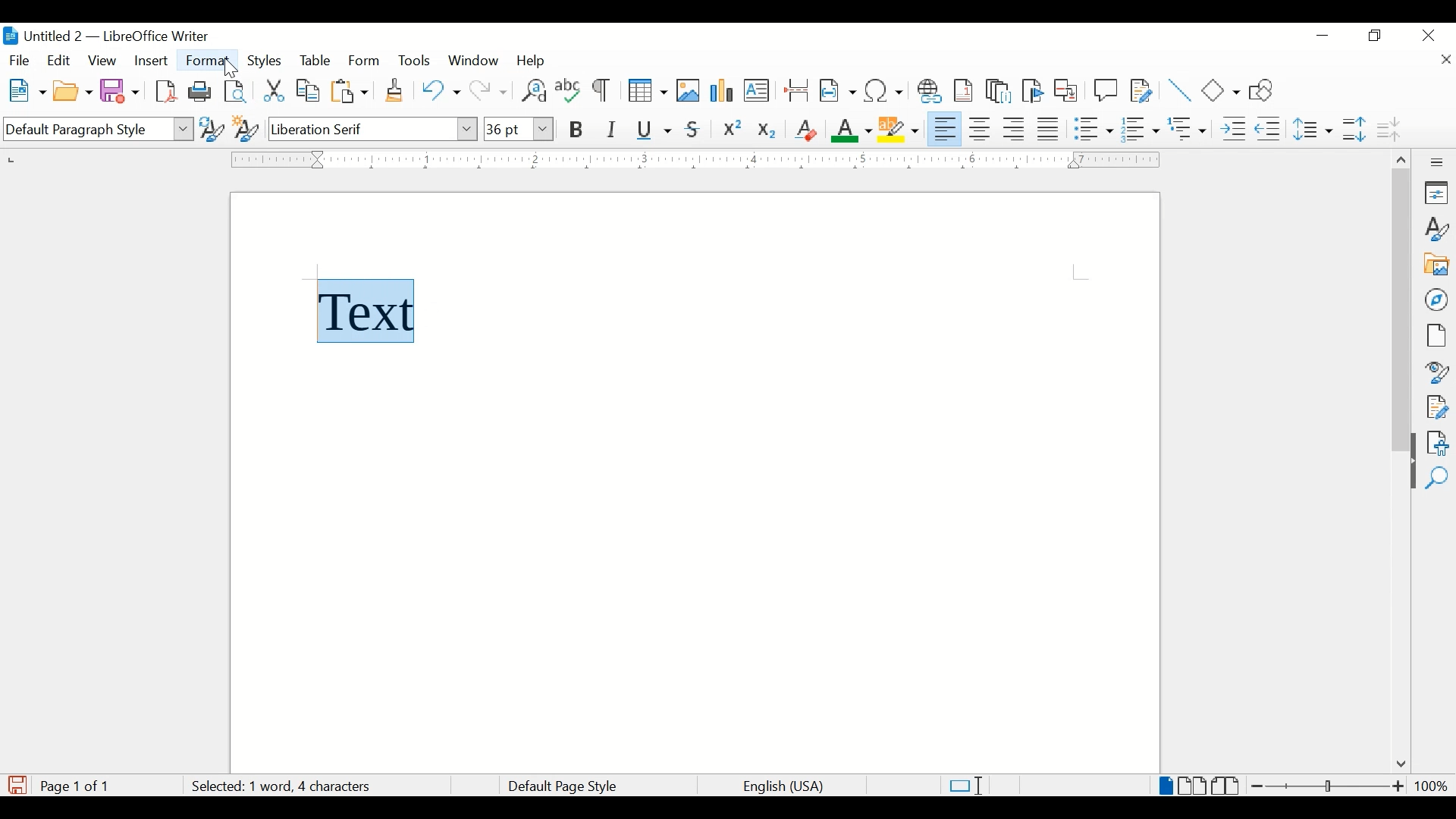  I want to click on insert cross-reference, so click(1066, 89).